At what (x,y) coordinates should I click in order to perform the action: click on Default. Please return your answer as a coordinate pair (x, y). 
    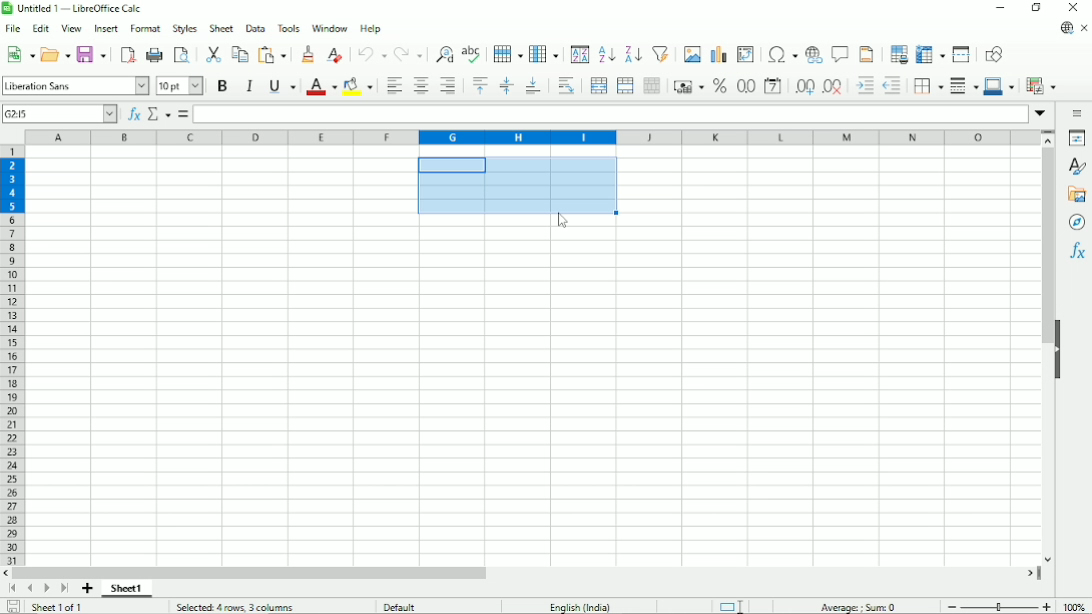
    Looking at the image, I should click on (406, 605).